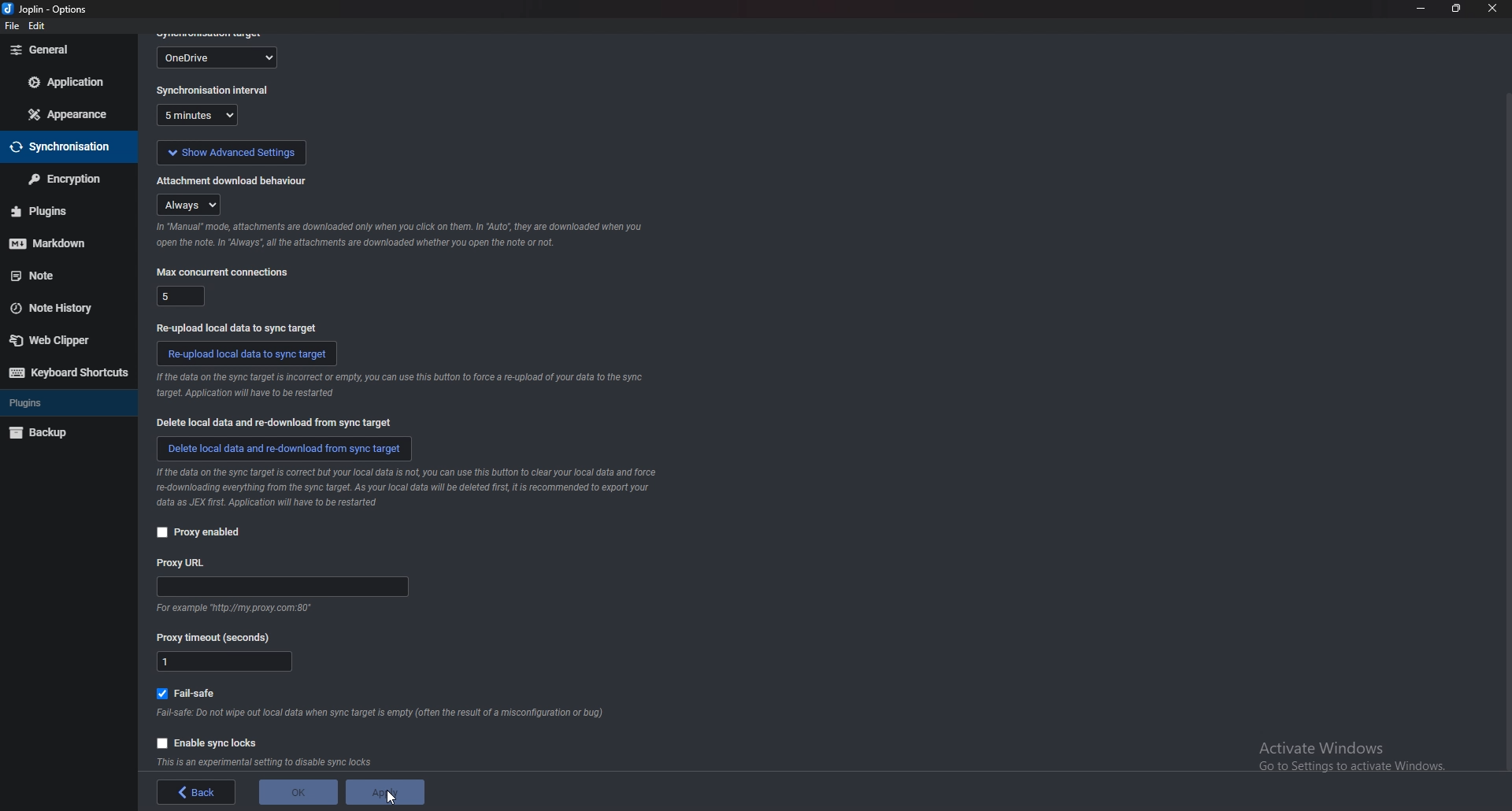 The height and width of the screenshot is (811, 1512). What do you see at coordinates (58, 434) in the screenshot?
I see `backup` at bounding box center [58, 434].